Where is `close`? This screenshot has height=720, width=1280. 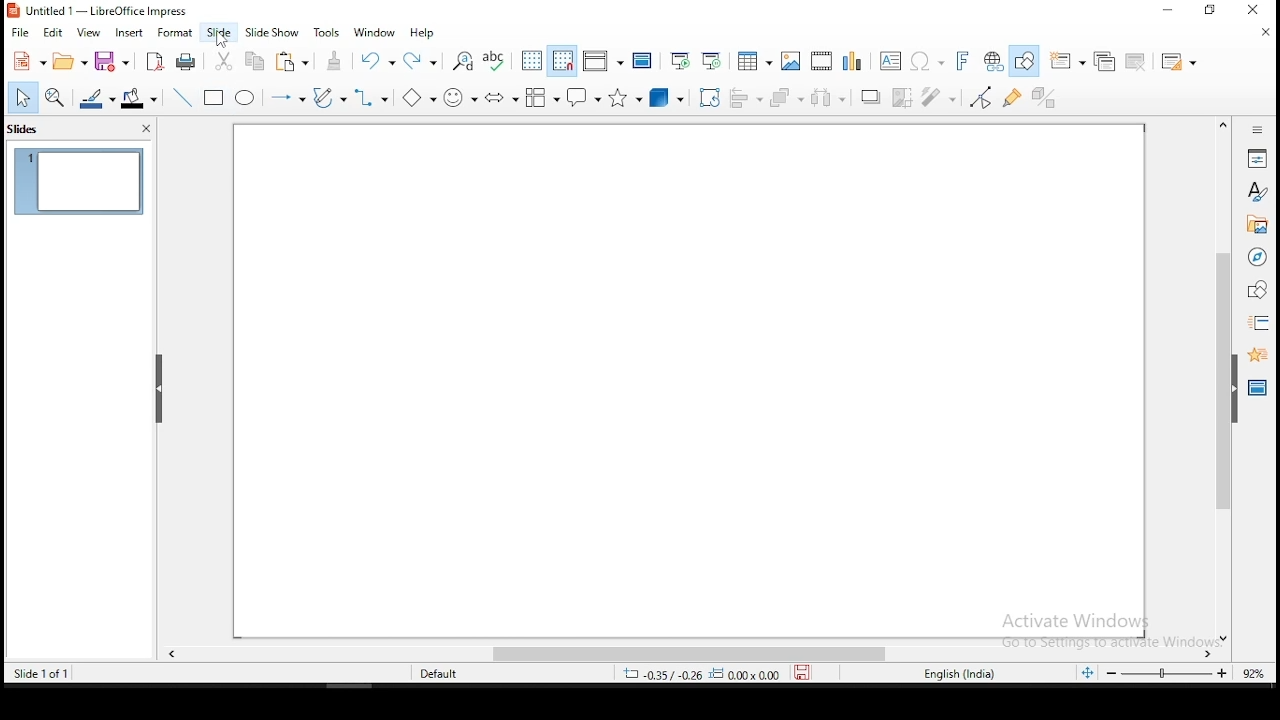
close is located at coordinates (142, 130).